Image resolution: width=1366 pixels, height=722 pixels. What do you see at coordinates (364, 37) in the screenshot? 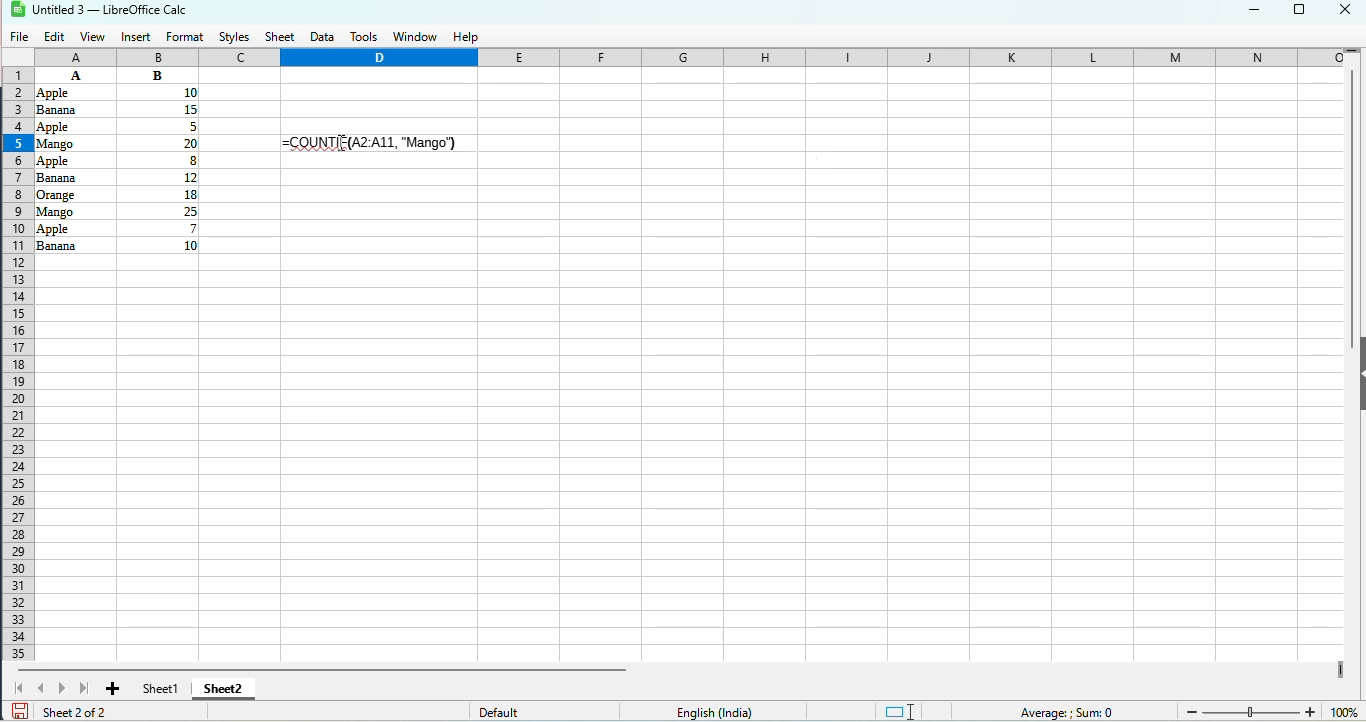
I see `tools` at bounding box center [364, 37].